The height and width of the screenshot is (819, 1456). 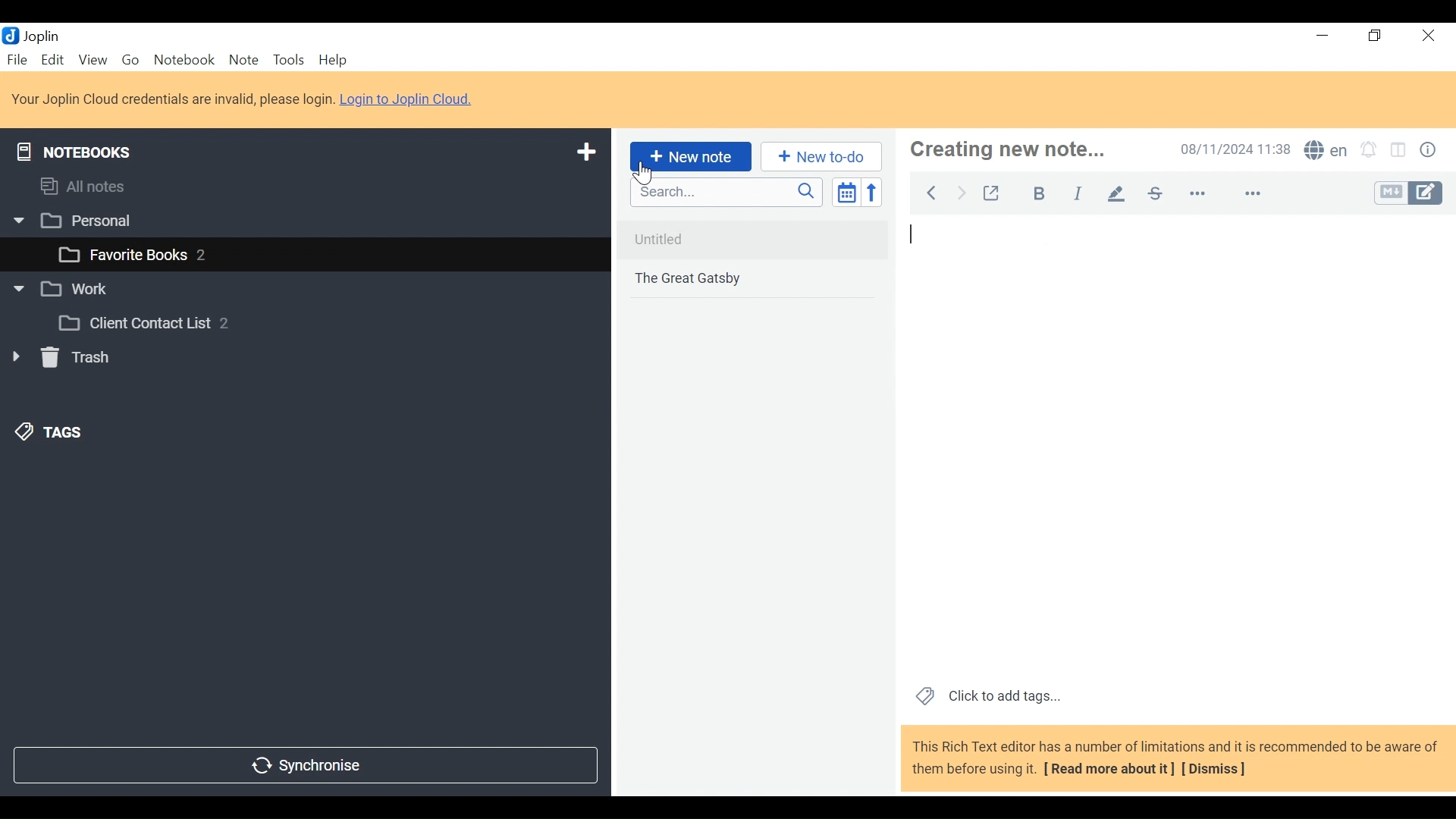 What do you see at coordinates (872, 193) in the screenshot?
I see `Reverse sort order` at bounding box center [872, 193].